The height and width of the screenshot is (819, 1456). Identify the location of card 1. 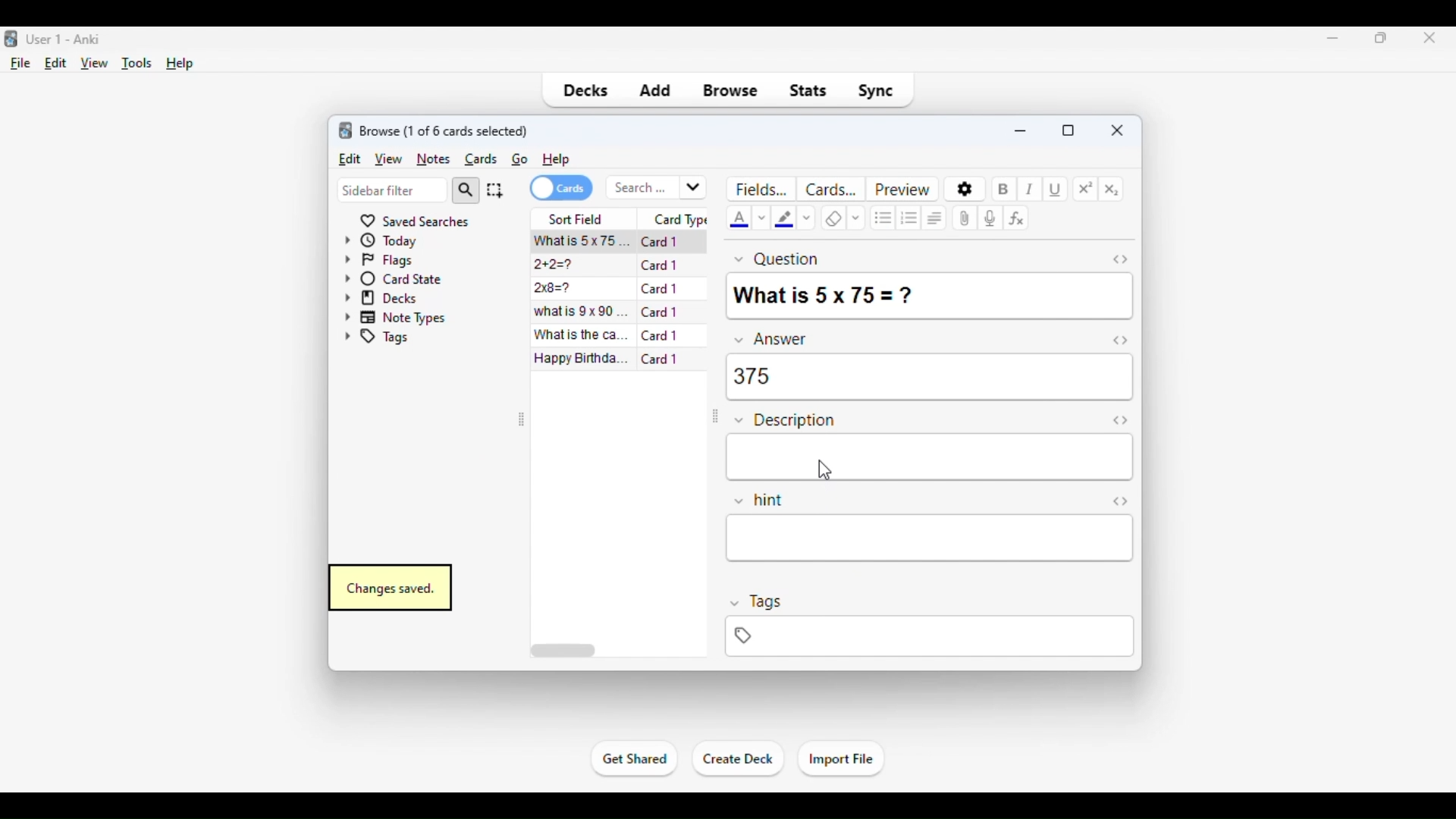
(660, 242).